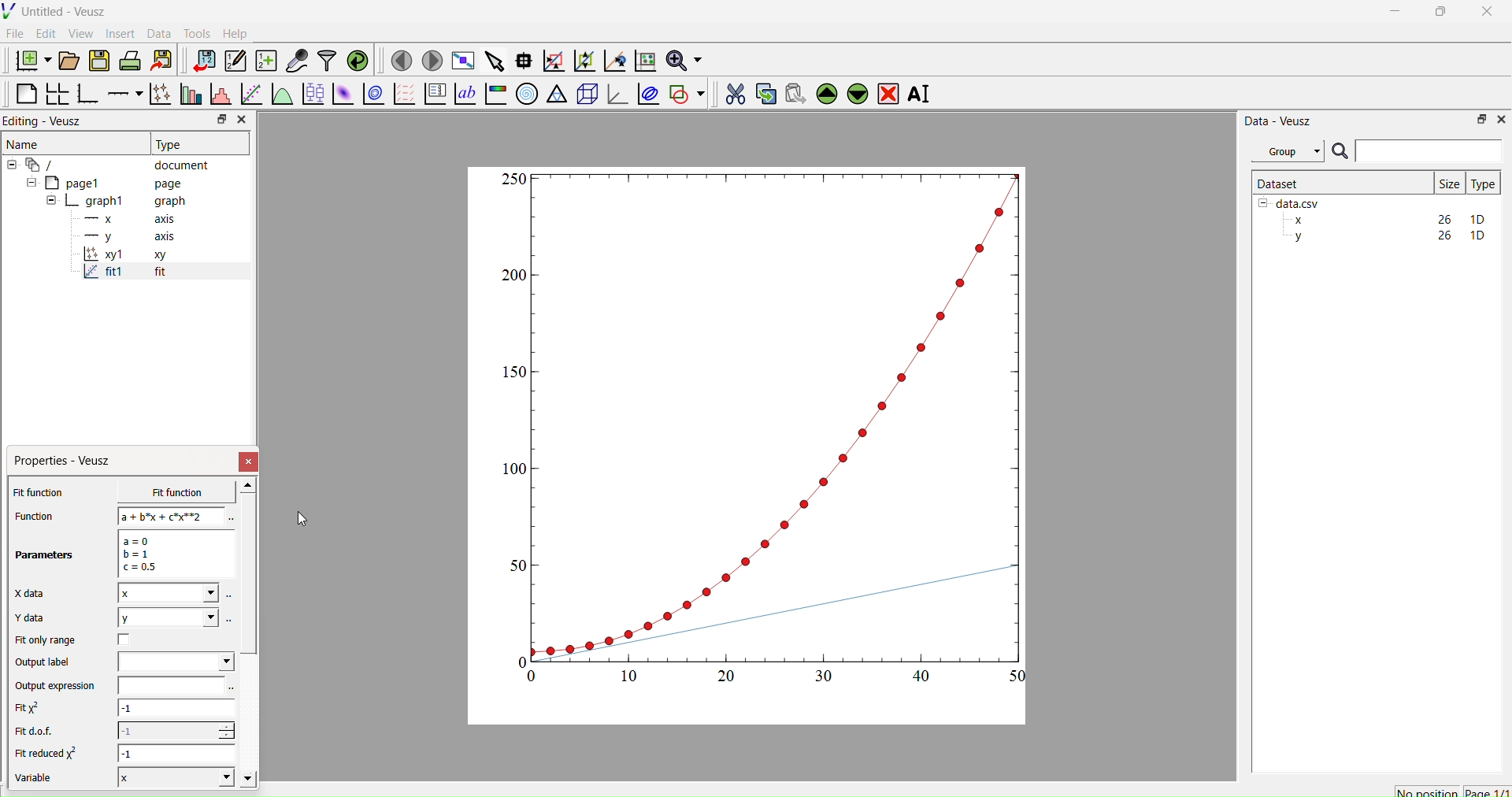 Image resolution: width=1512 pixels, height=797 pixels. I want to click on Base Graph, so click(85, 95).